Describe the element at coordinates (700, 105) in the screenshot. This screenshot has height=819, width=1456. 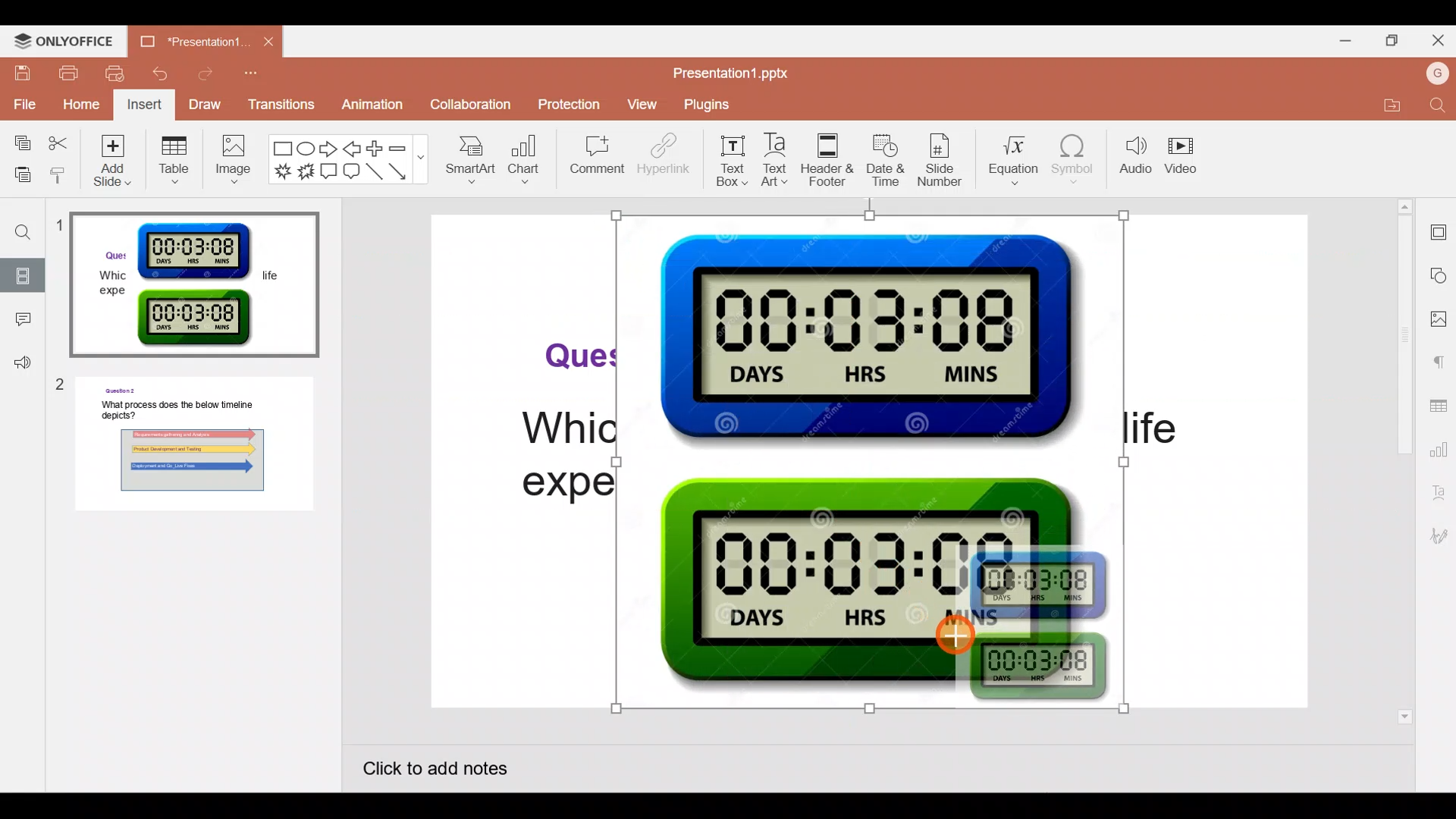
I see `Plugins` at that location.